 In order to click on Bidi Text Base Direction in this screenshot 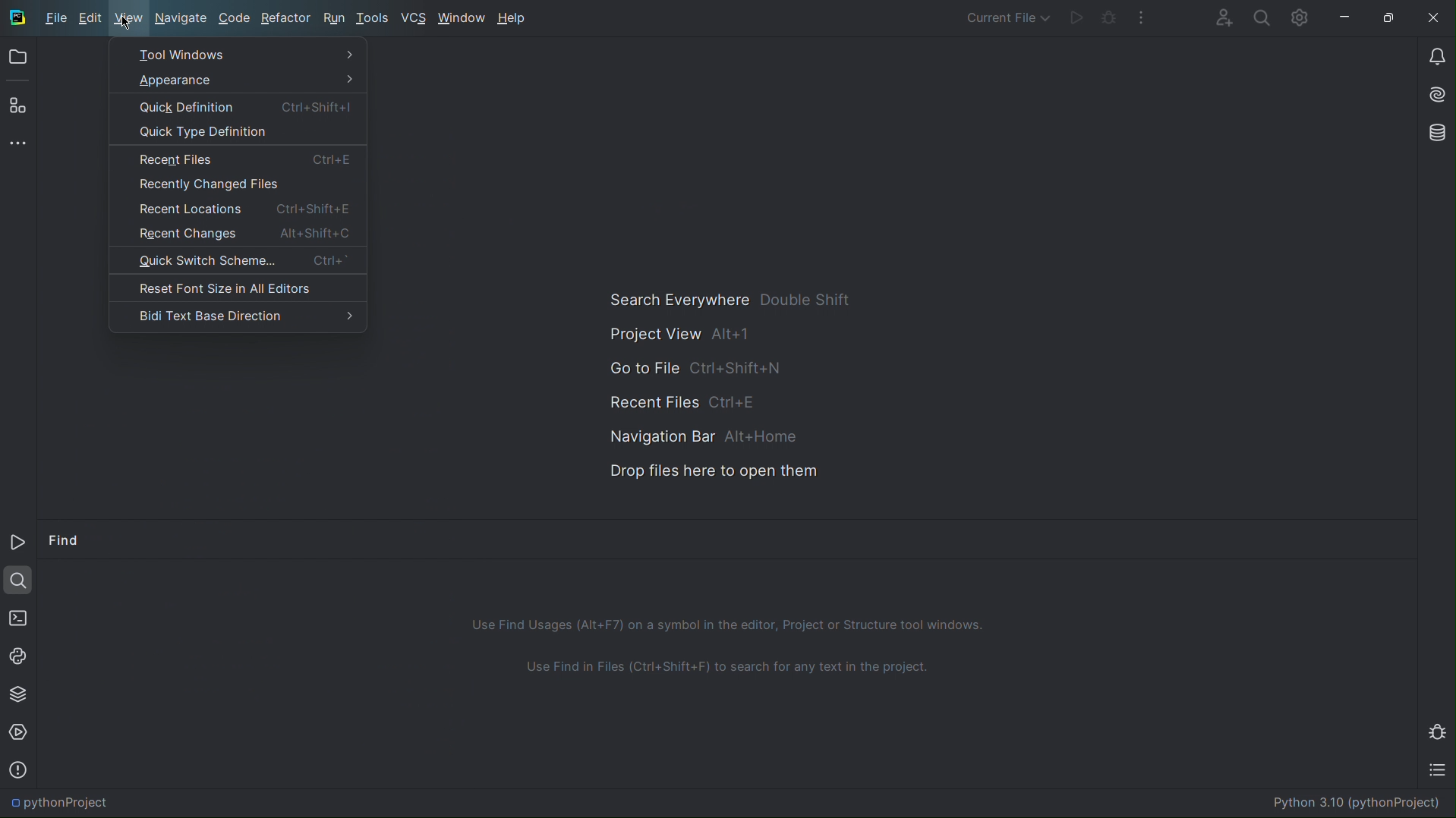, I will do `click(238, 314)`.